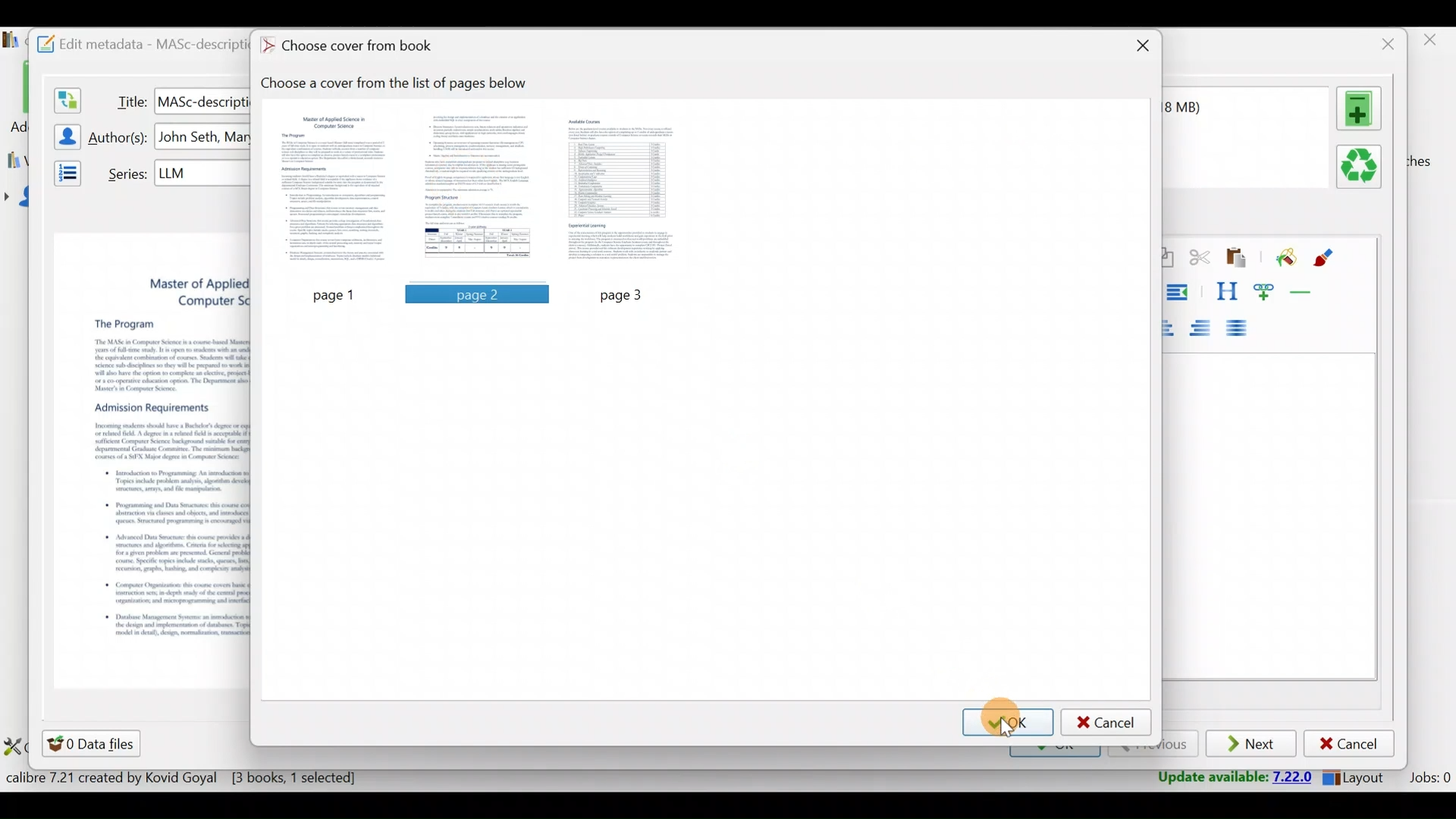 The image size is (1456, 819). I want to click on Title, so click(128, 99).